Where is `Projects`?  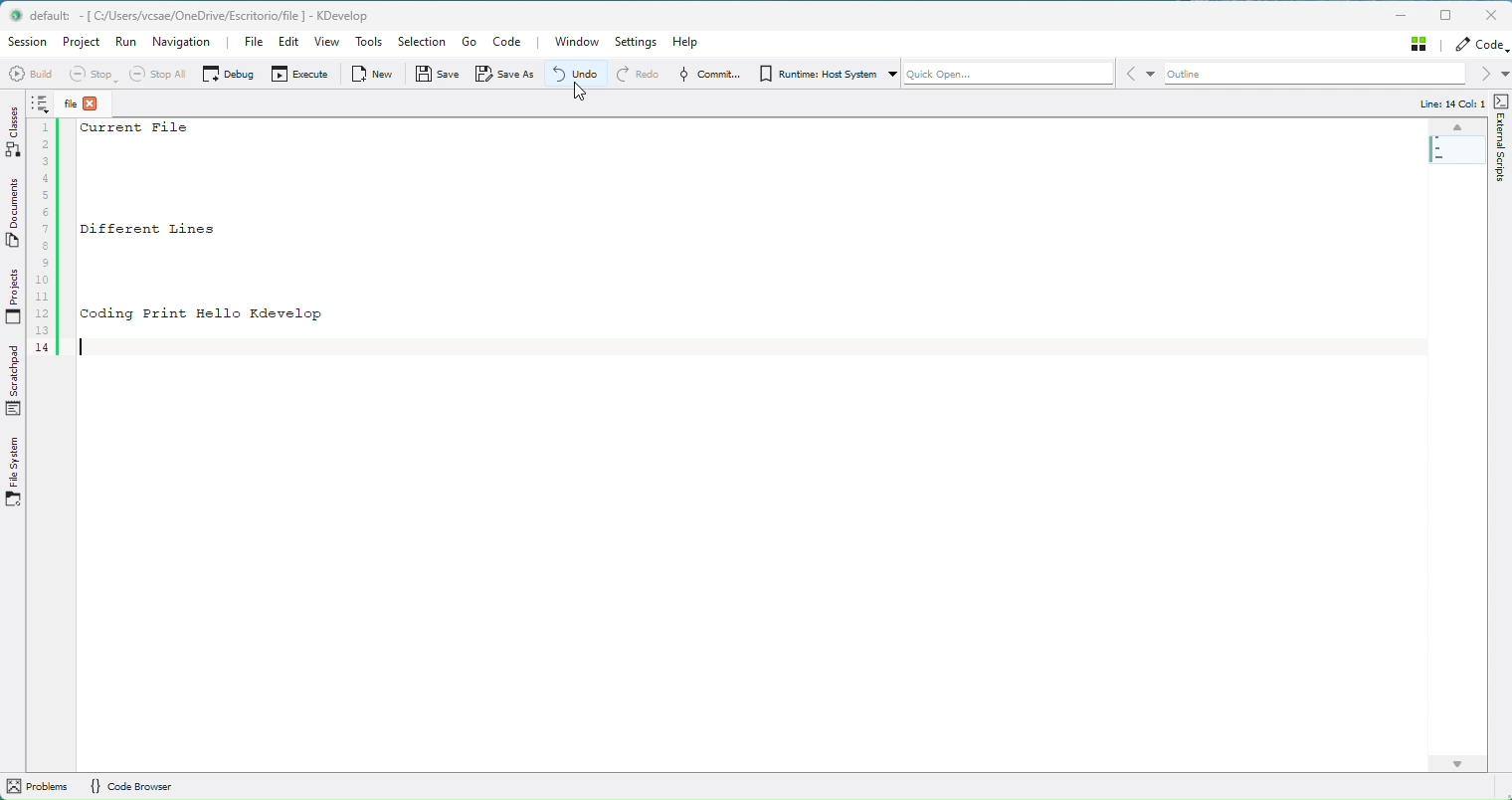
Projects is located at coordinates (16, 292).